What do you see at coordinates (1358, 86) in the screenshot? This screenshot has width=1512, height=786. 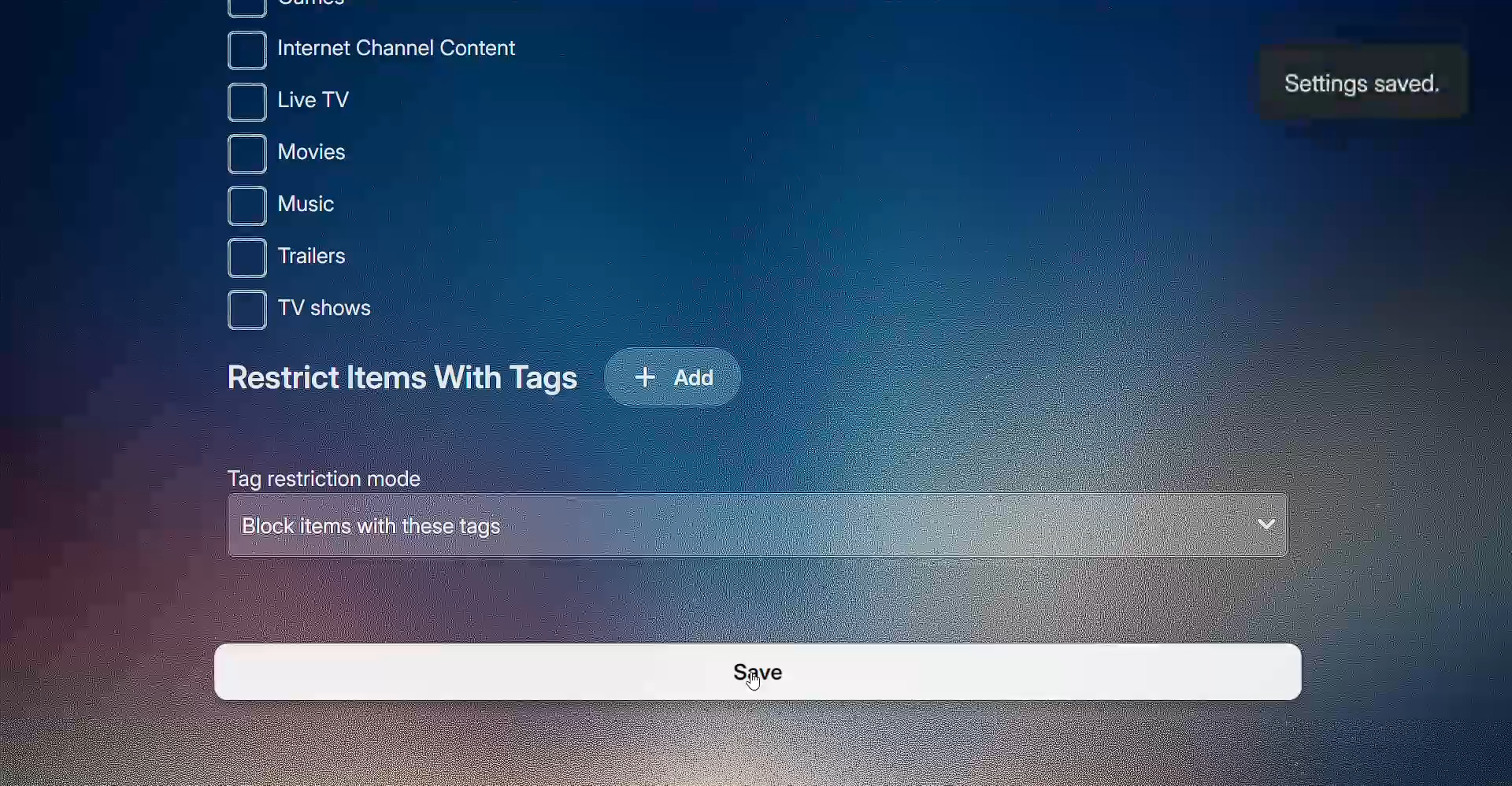 I see `Settings saved` at bounding box center [1358, 86].